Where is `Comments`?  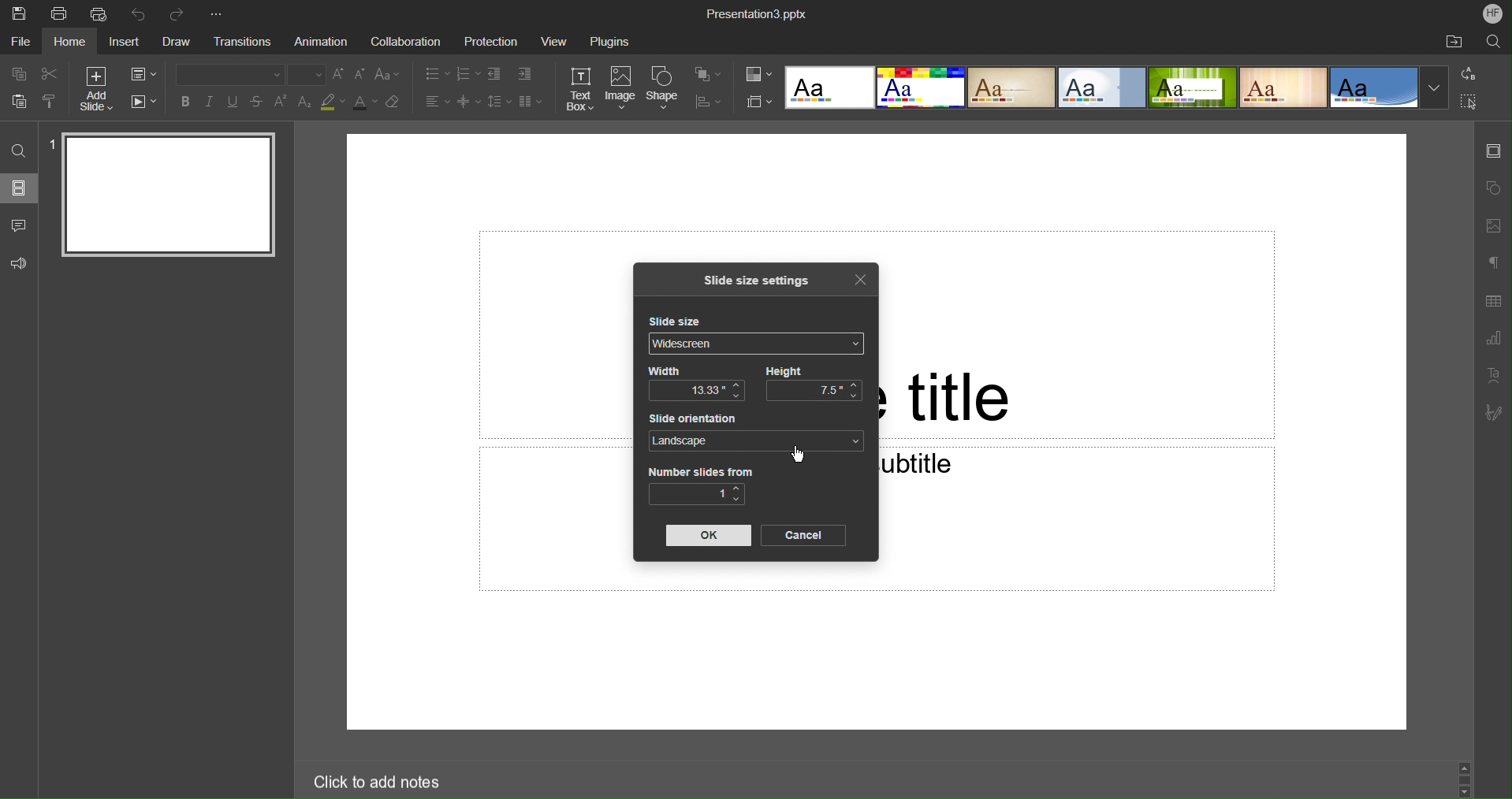 Comments is located at coordinates (17, 225).